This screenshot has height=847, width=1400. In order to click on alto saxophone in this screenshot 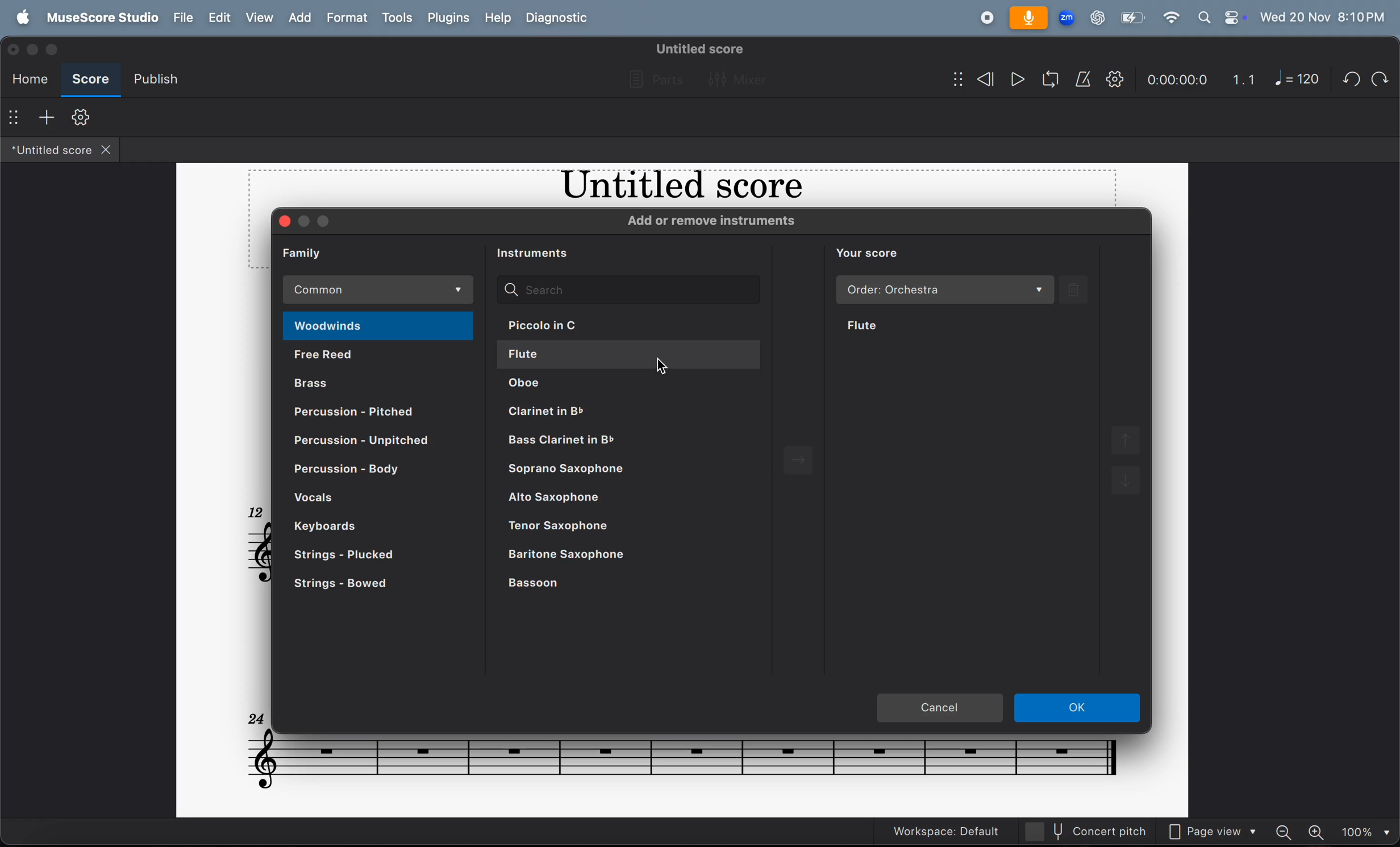, I will do `click(625, 498)`.